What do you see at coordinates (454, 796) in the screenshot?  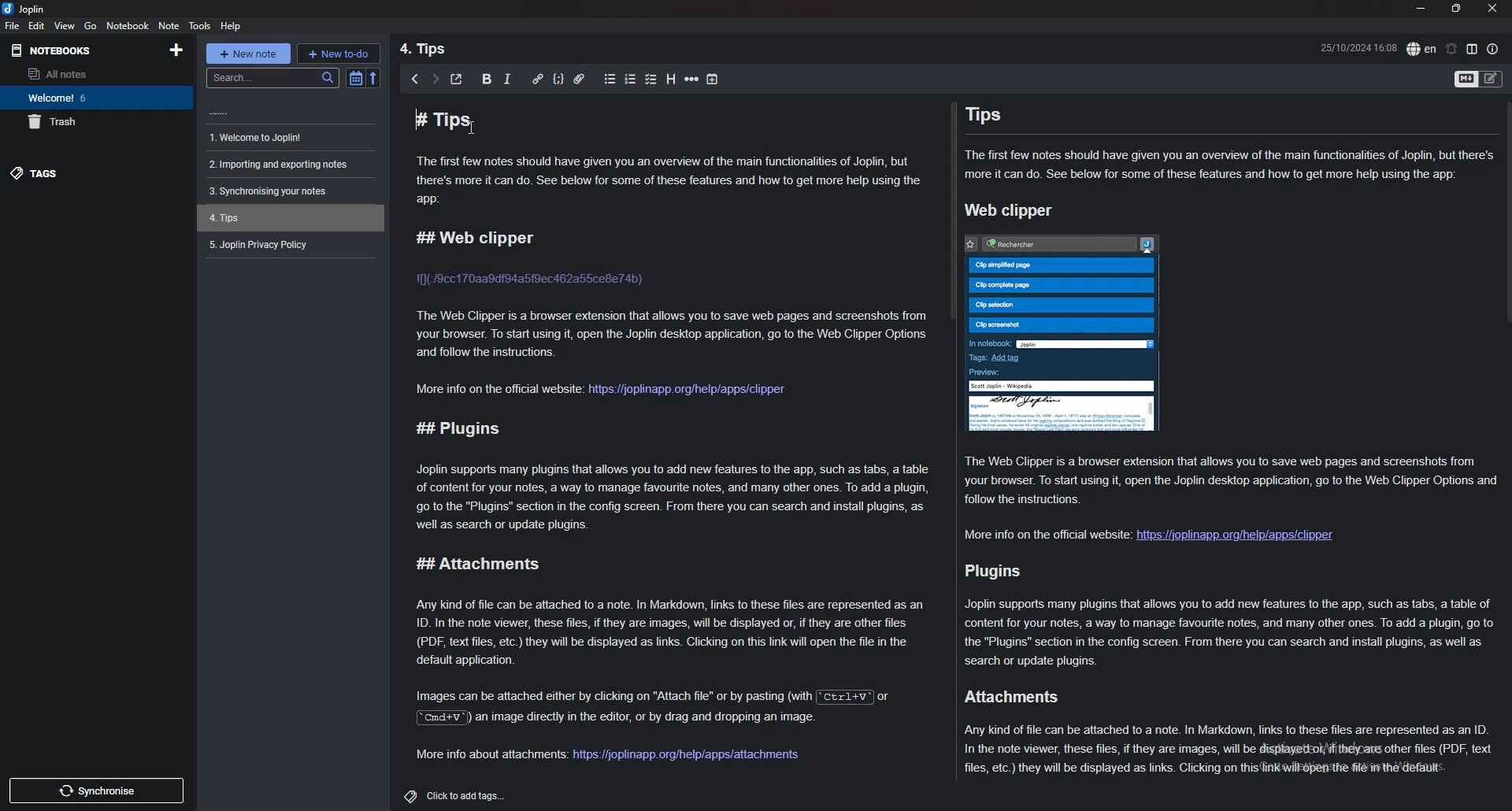 I see `` at bounding box center [454, 796].